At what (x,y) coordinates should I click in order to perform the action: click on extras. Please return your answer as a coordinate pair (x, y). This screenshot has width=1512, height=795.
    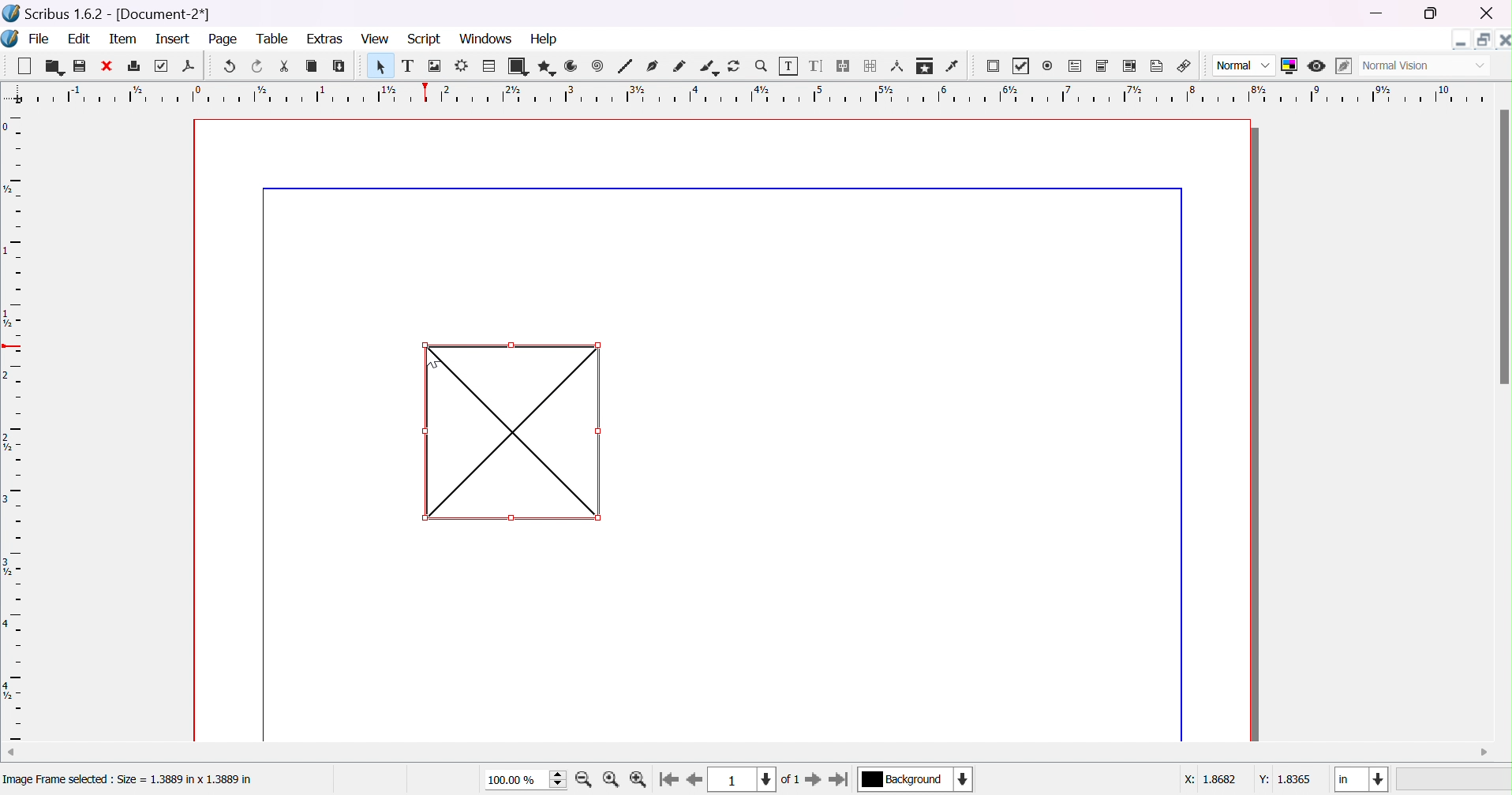
    Looking at the image, I should click on (325, 39).